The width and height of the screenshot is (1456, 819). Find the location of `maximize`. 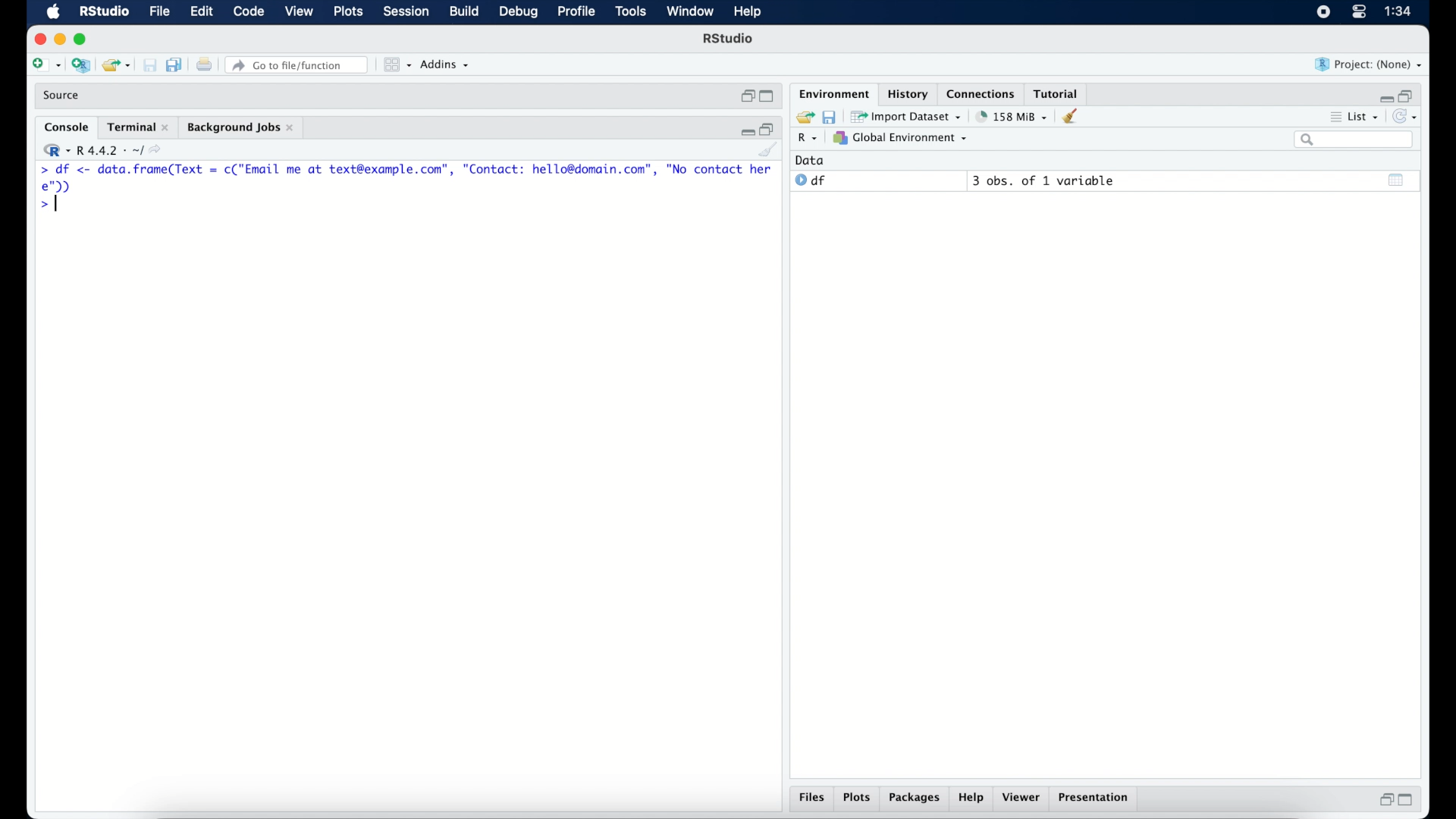

maximize is located at coordinates (82, 39).